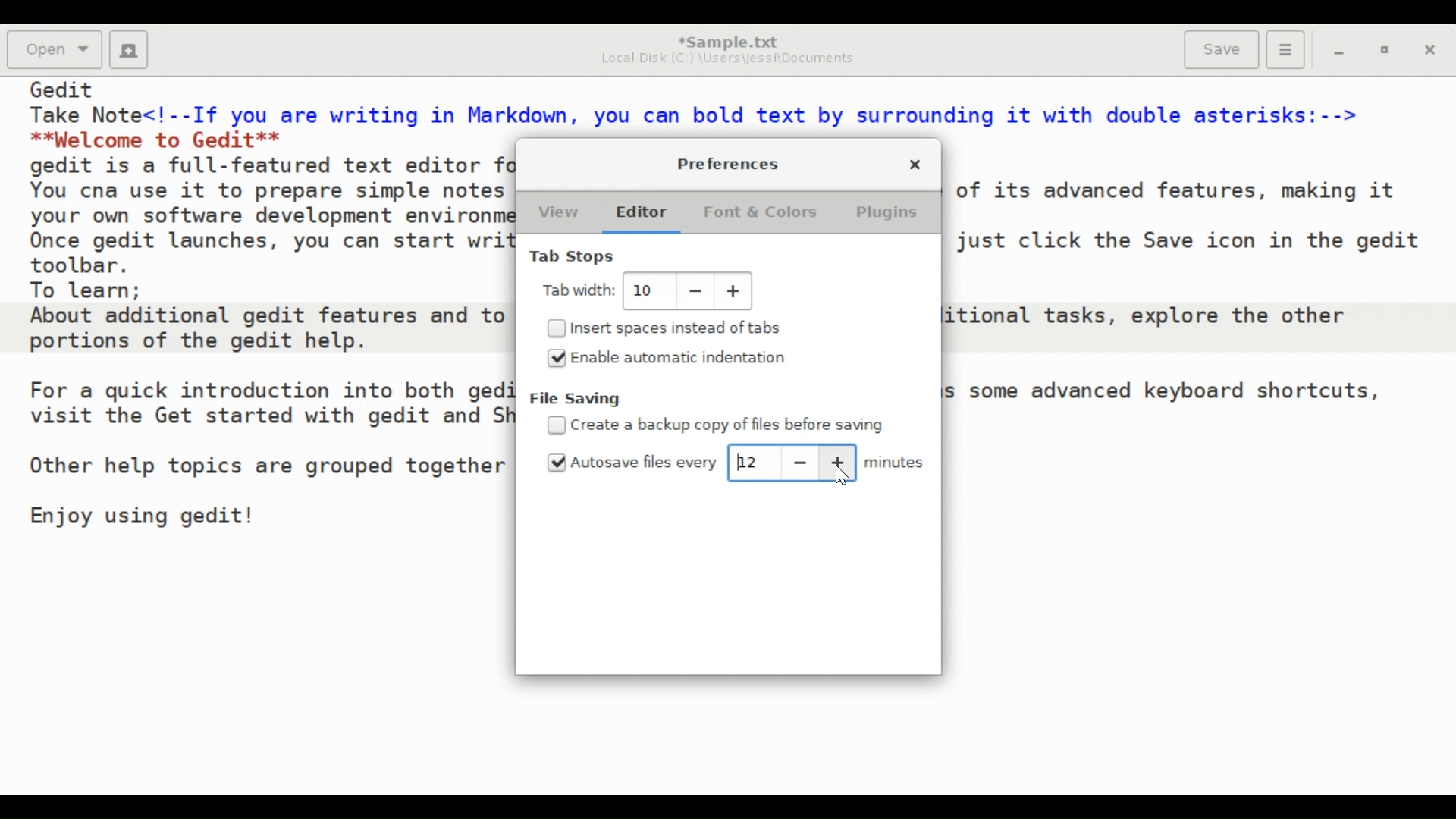 The image size is (1456, 819). What do you see at coordinates (898, 463) in the screenshot?
I see `minutes` at bounding box center [898, 463].